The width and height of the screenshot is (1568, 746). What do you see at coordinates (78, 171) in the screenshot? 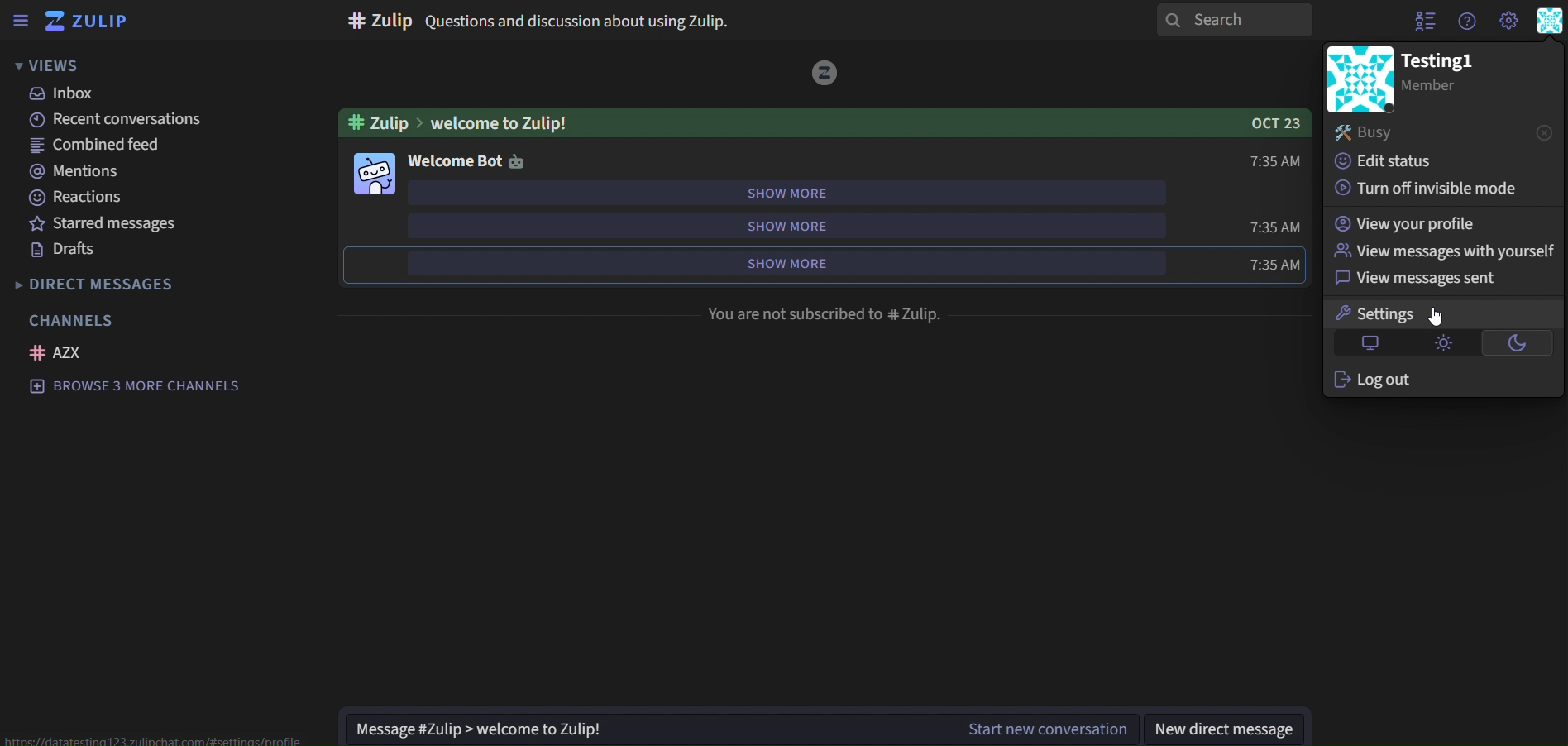
I see `mentions` at bounding box center [78, 171].